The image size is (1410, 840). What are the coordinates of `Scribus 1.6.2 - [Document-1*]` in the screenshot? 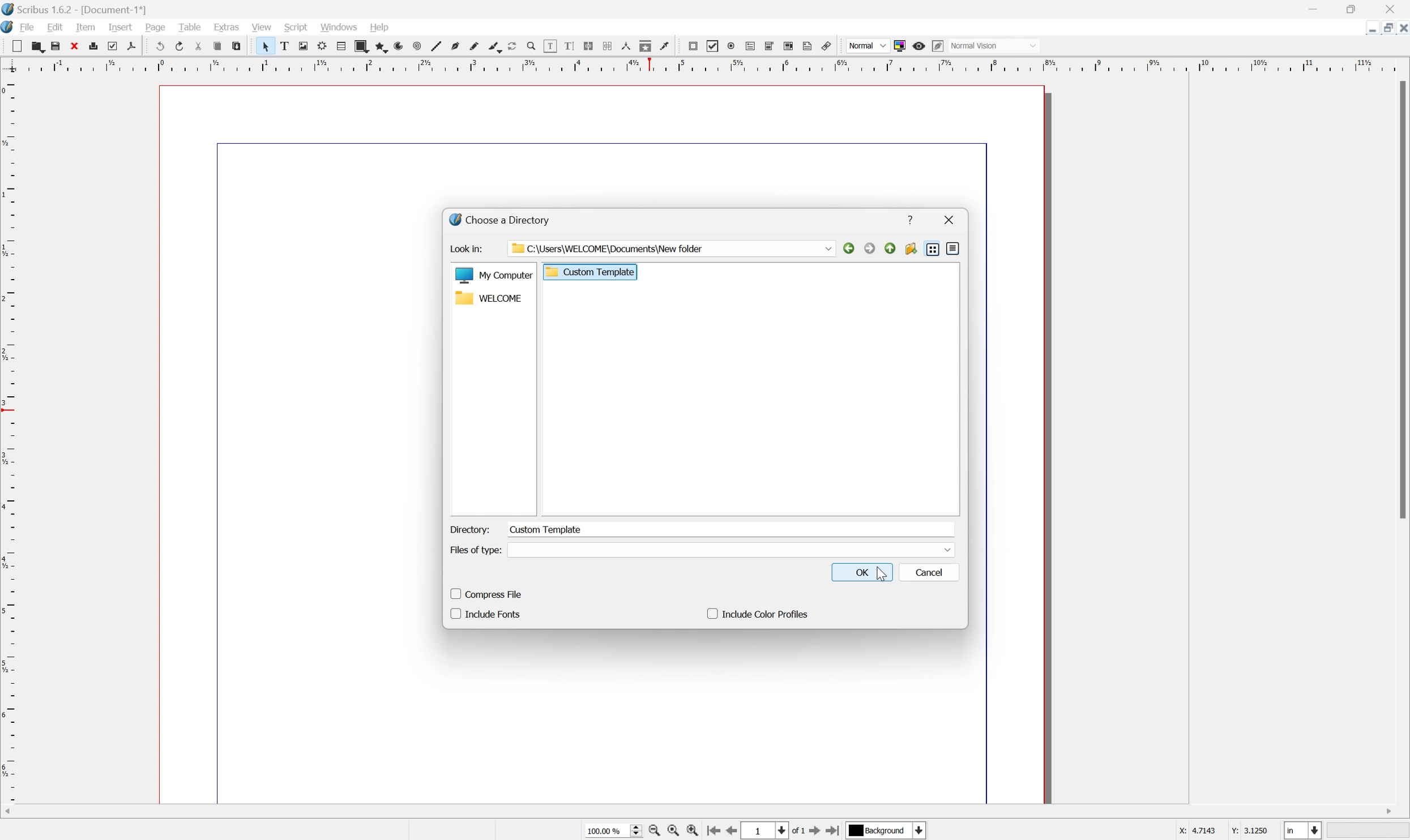 It's located at (81, 9).